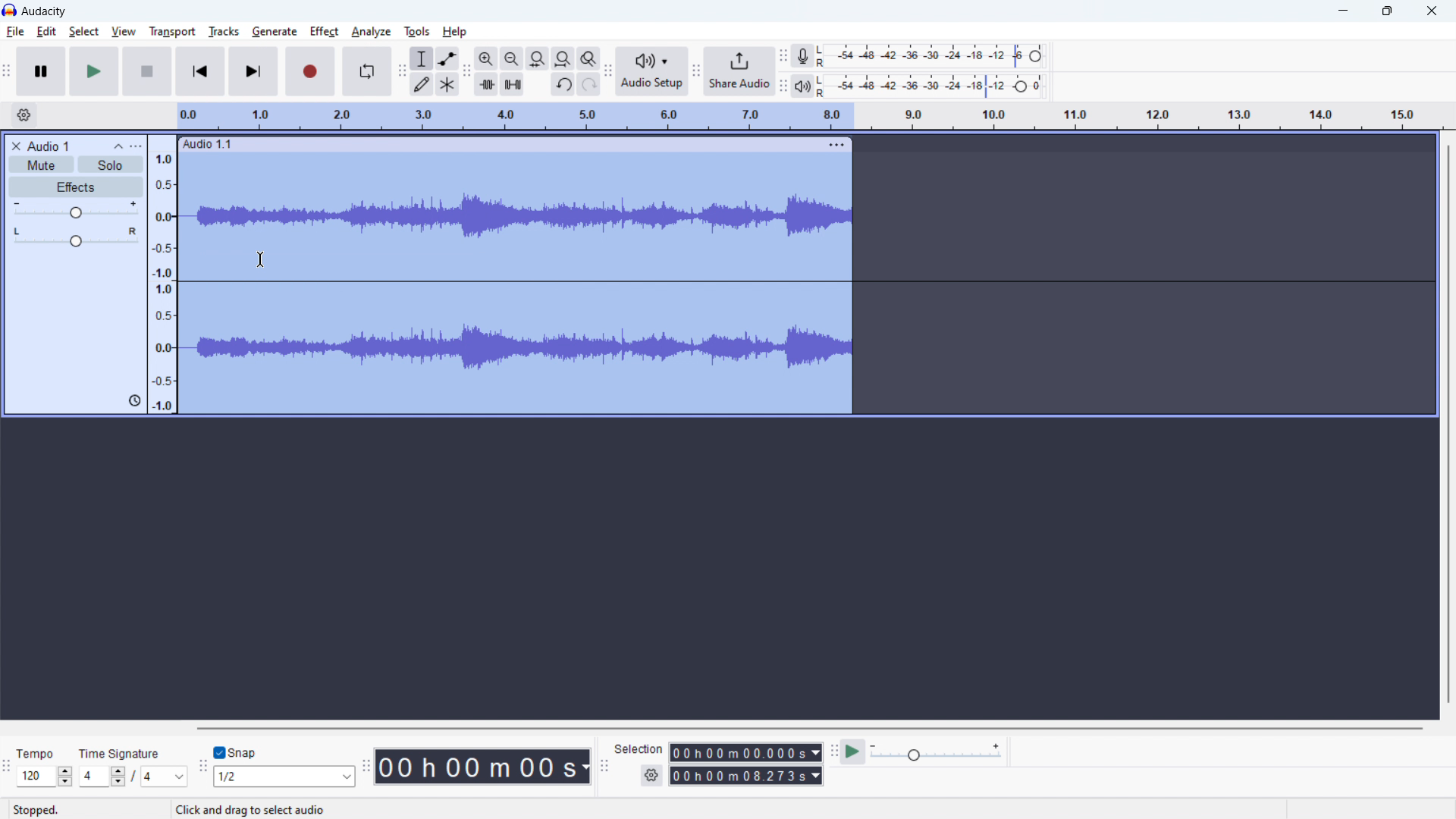 This screenshot has height=819, width=1456. What do you see at coordinates (653, 72) in the screenshot?
I see `audio setup` at bounding box center [653, 72].